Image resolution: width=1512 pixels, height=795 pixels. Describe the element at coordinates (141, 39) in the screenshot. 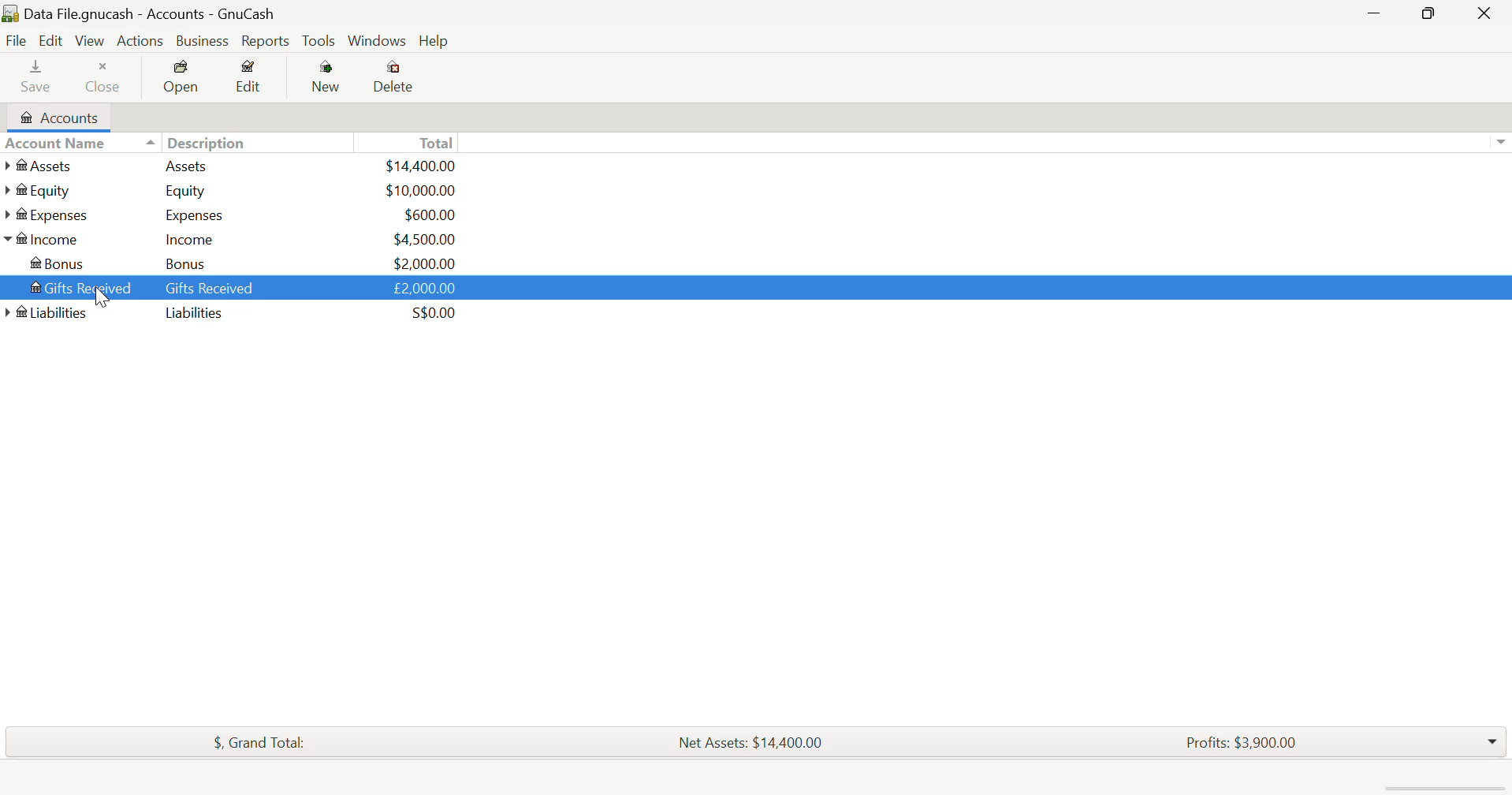

I see `Actions` at that location.